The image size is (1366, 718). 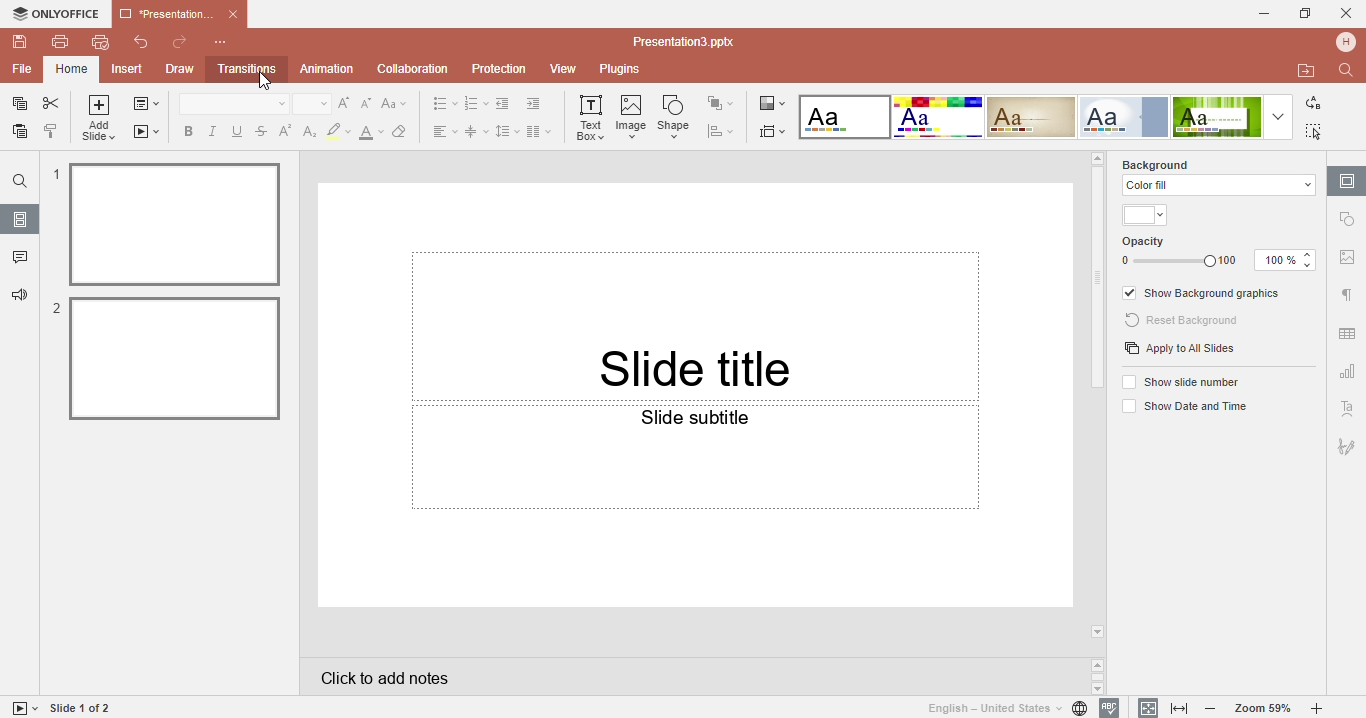 What do you see at coordinates (477, 131) in the screenshot?
I see `Vertical align` at bounding box center [477, 131].